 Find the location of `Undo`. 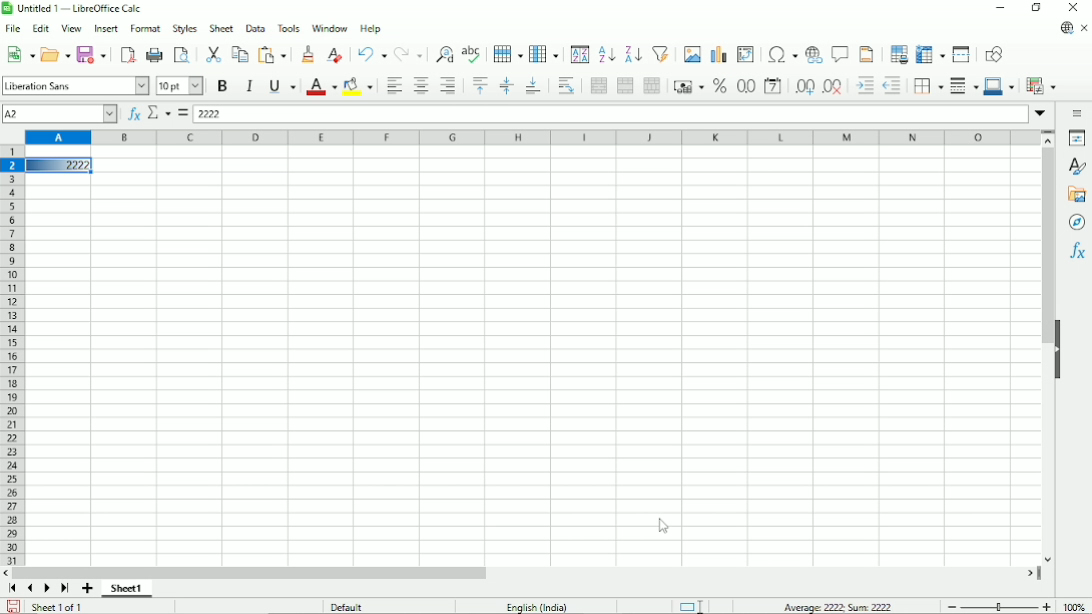

Undo is located at coordinates (371, 53).